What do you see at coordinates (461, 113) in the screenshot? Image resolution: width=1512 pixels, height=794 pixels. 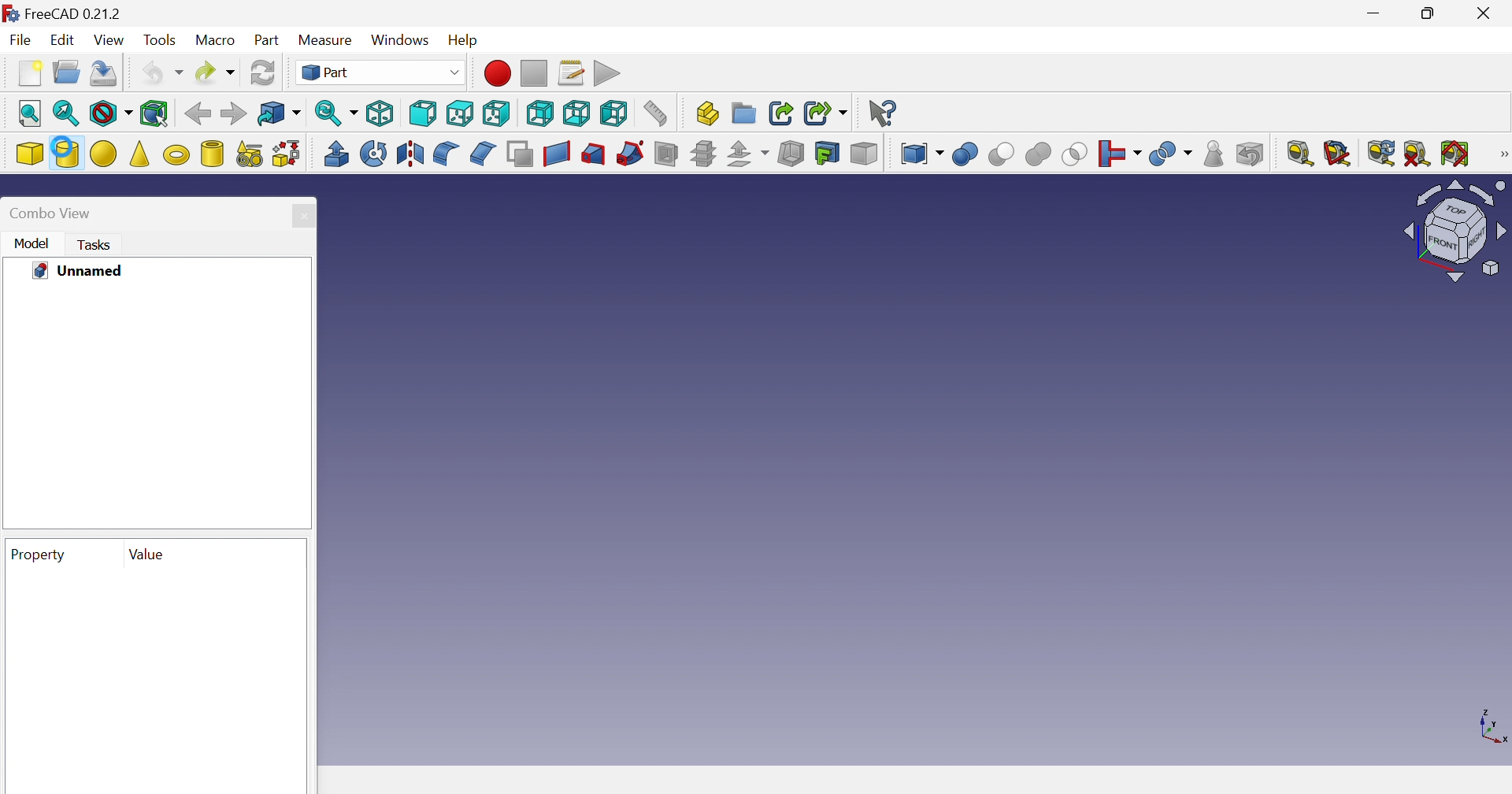 I see `Top` at bounding box center [461, 113].